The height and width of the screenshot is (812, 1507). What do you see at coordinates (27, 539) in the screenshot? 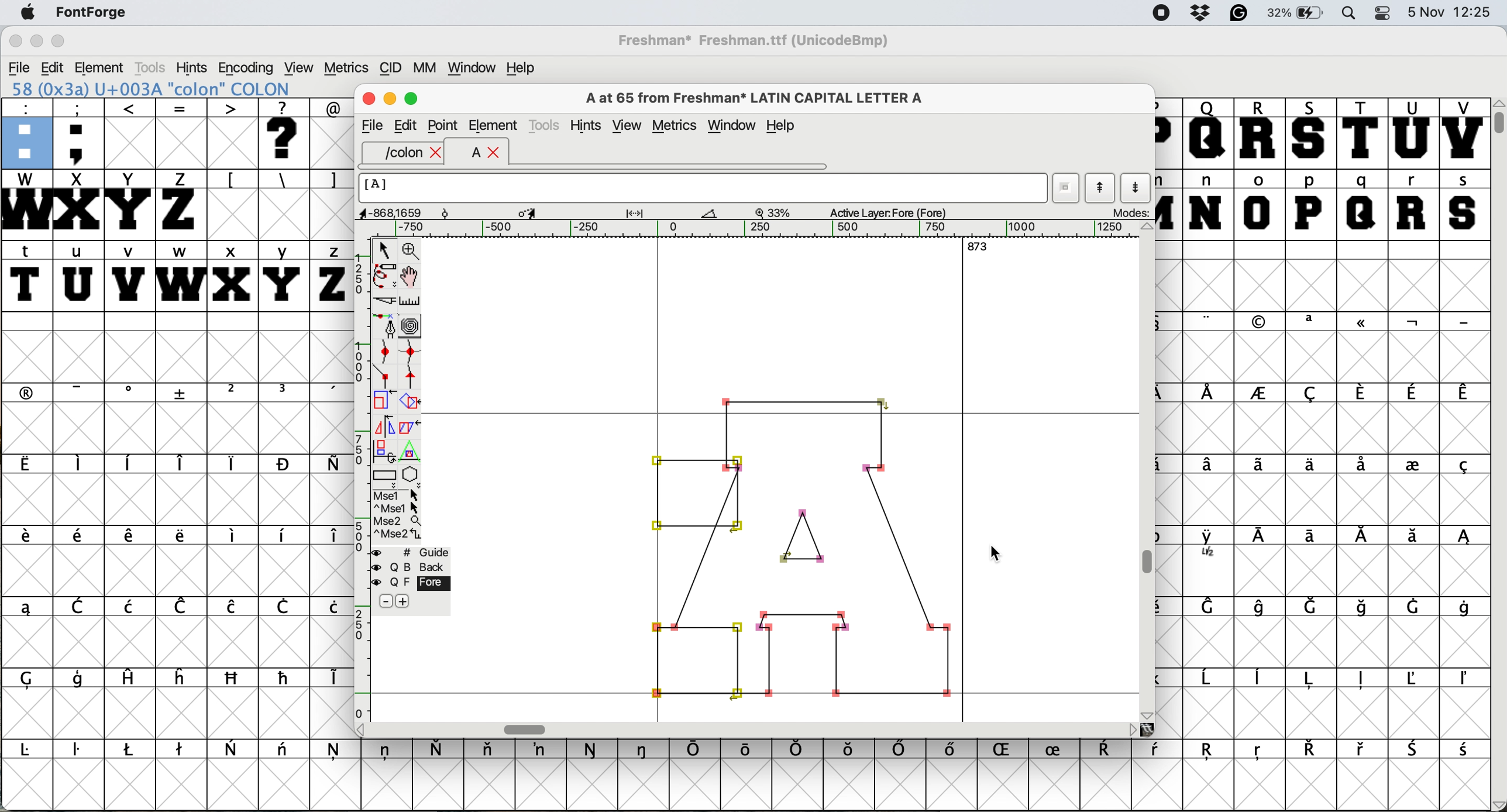
I see `symbol` at bounding box center [27, 539].